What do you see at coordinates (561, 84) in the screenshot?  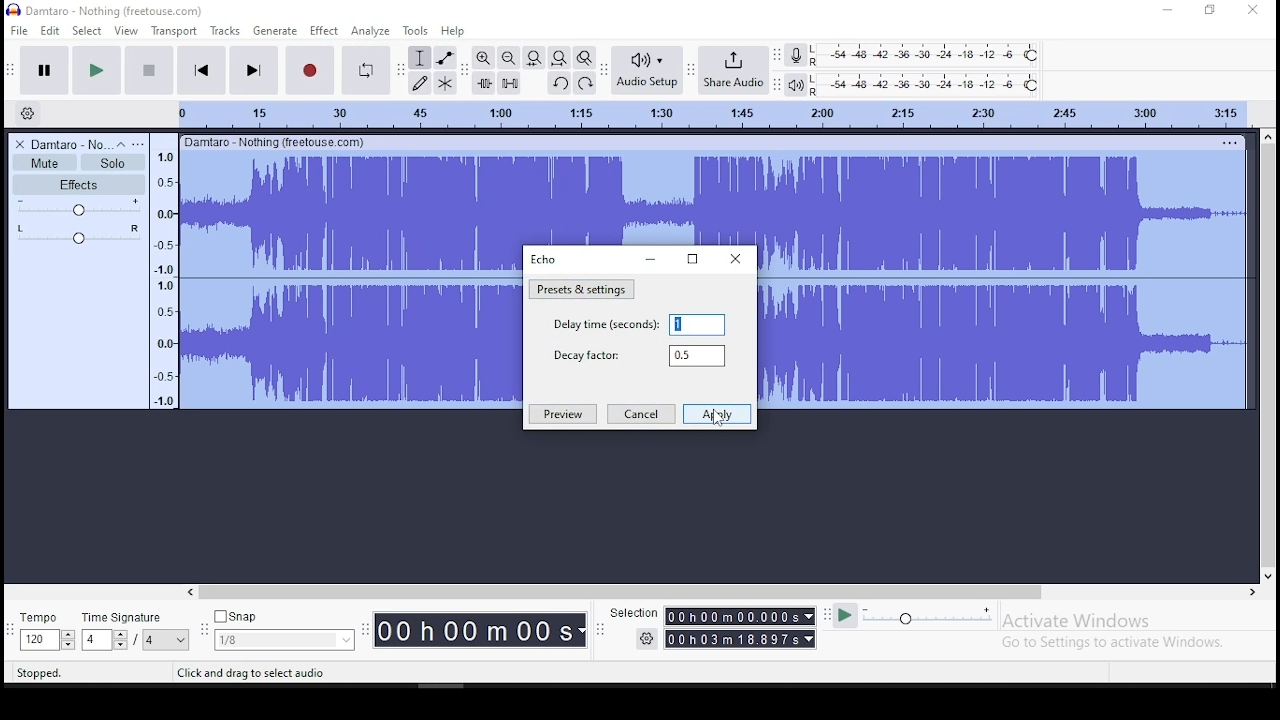 I see `undo` at bounding box center [561, 84].